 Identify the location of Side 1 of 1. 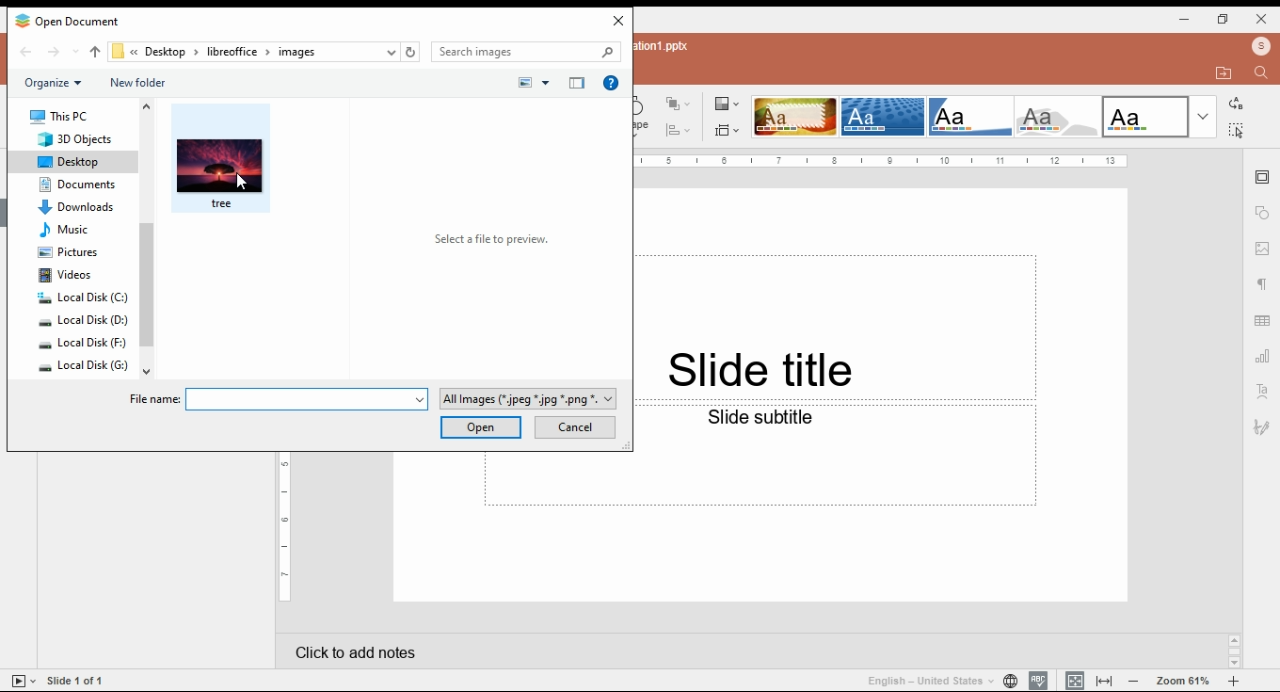
(82, 679).